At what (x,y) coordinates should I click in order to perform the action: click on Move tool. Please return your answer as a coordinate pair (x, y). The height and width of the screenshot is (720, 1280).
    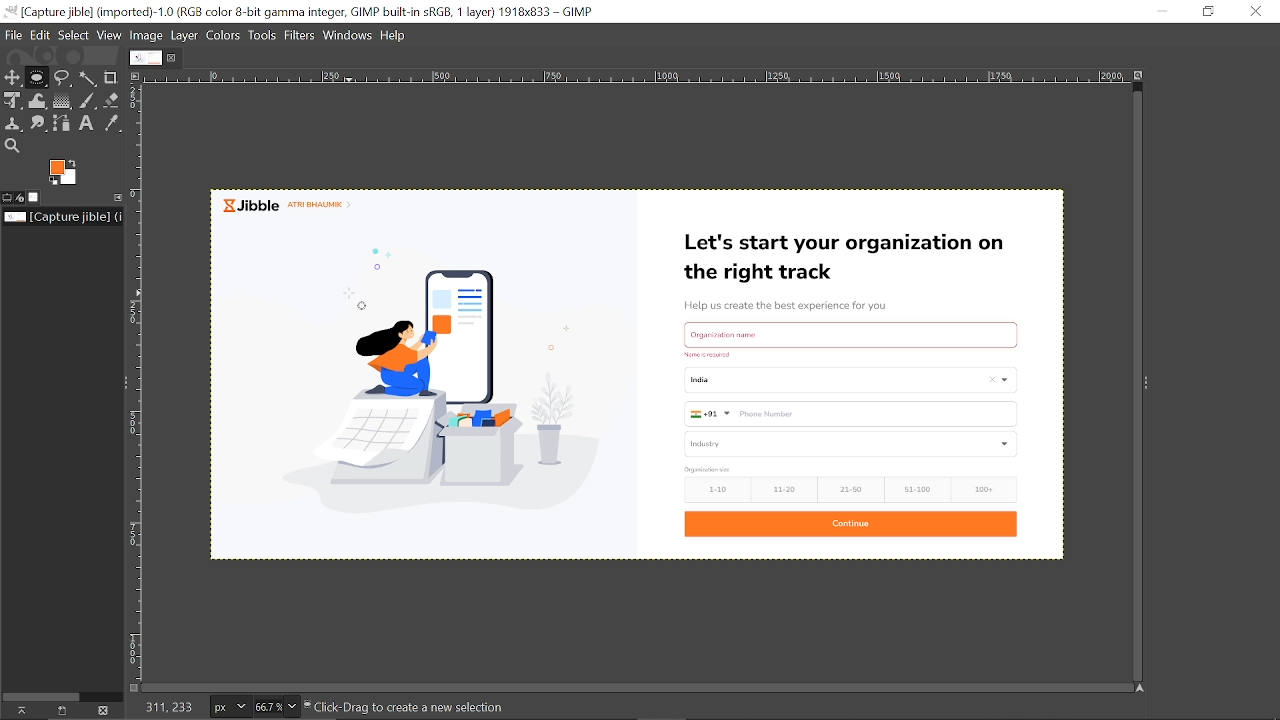
    Looking at the image, I should click on (12, 76).